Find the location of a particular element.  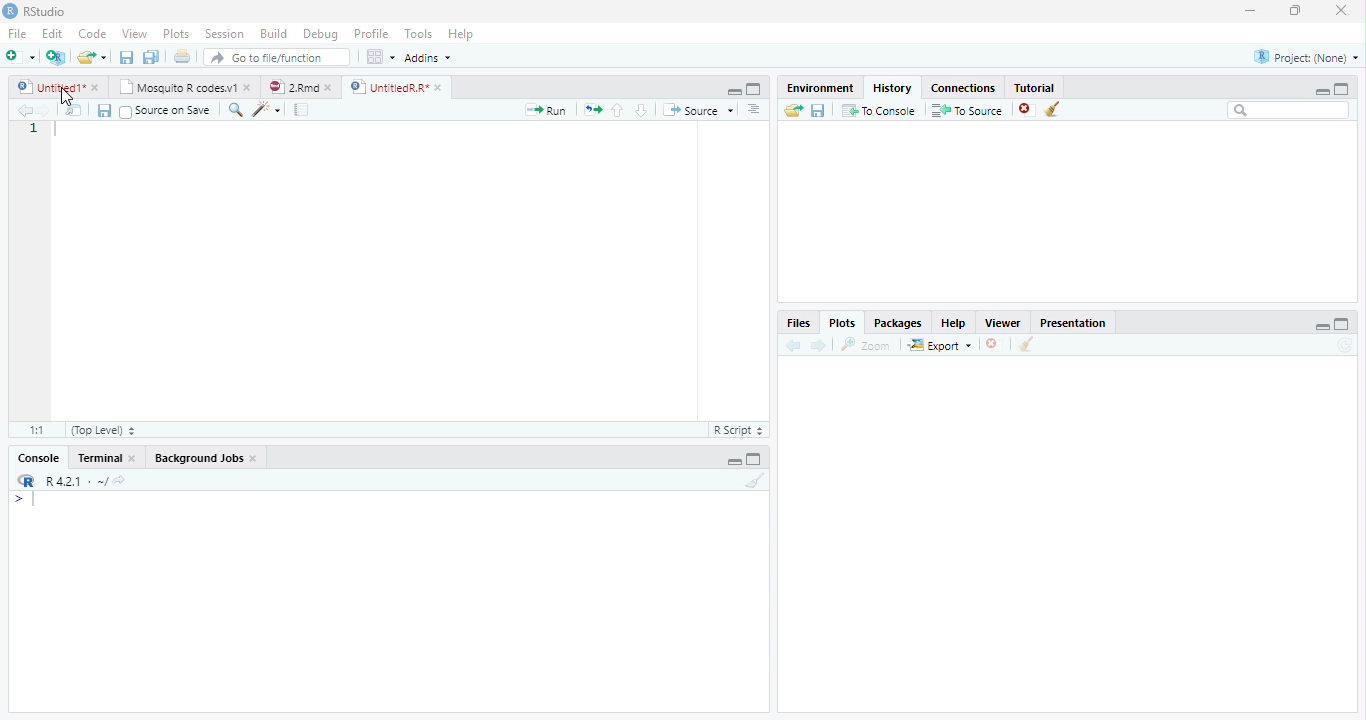

Clear Console is located at coordinates (753, 484).